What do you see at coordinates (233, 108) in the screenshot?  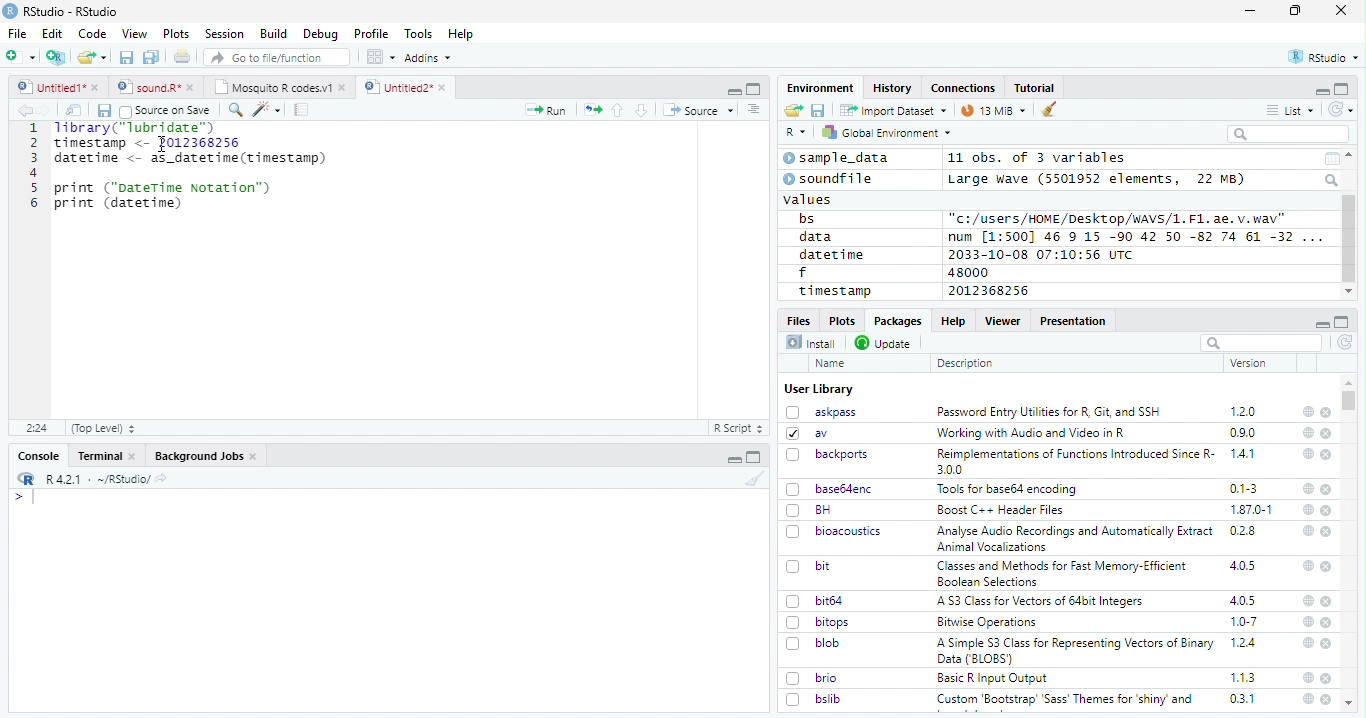 I see `find` at bounding box center [233, 108].